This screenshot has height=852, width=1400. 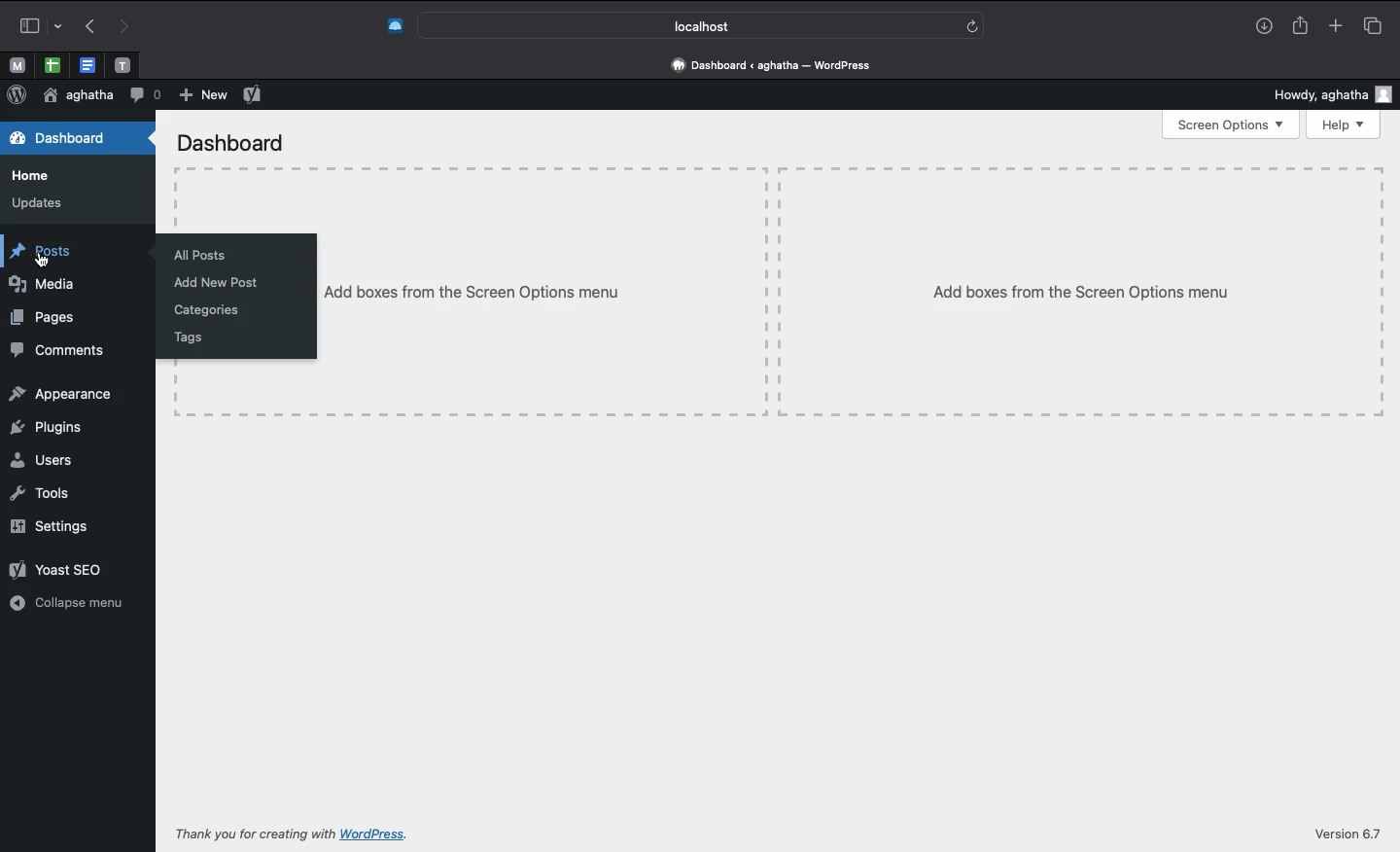 I want to click on All posts, so click(x=203, y=255).